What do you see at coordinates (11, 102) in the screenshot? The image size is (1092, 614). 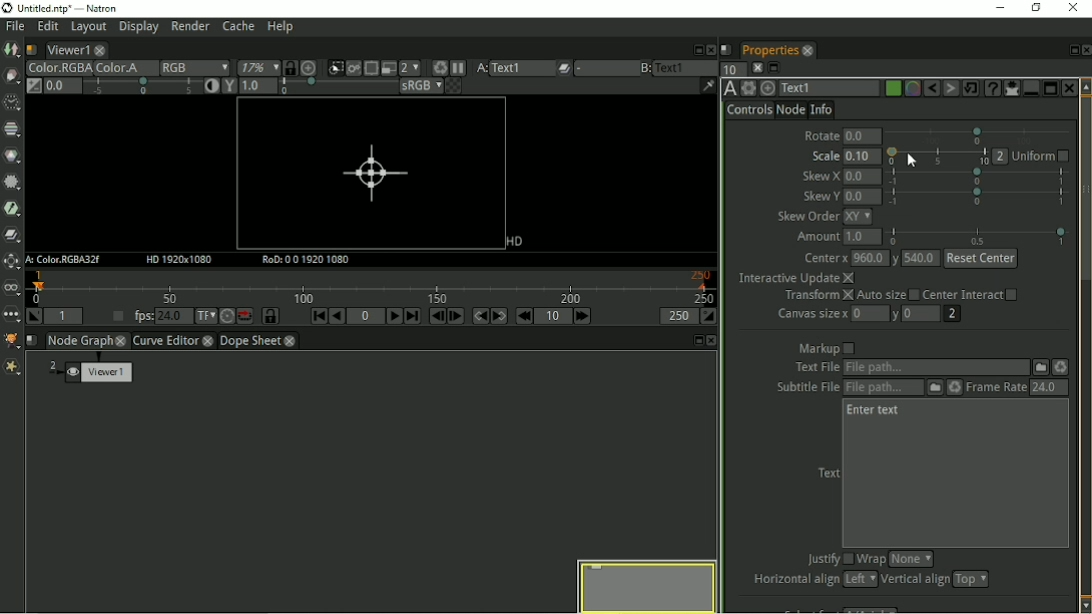 I see `Time` at bounding box center [11, 102].